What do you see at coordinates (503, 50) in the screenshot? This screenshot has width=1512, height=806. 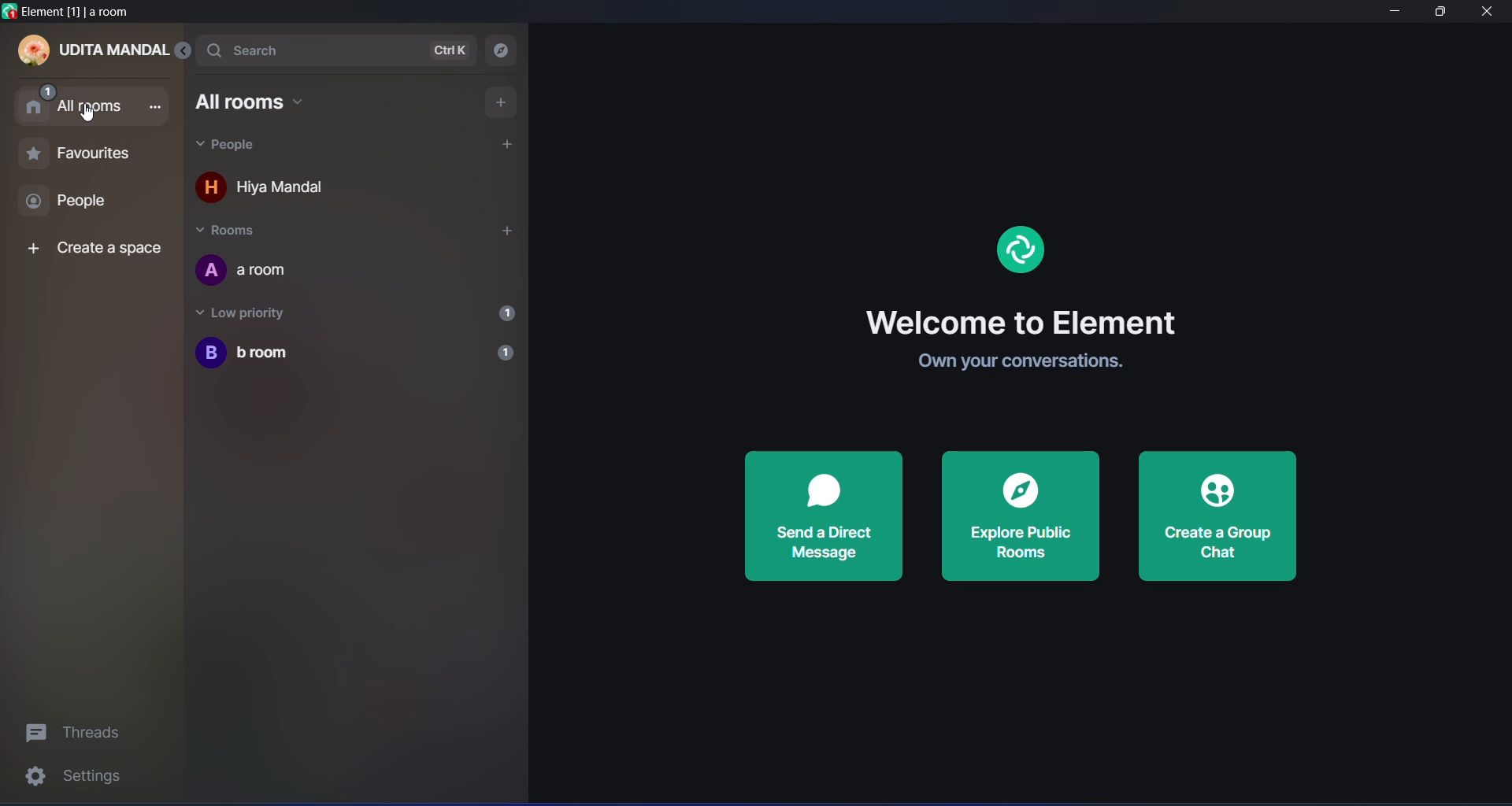 I see `explore` at bounding box center [503, 50].